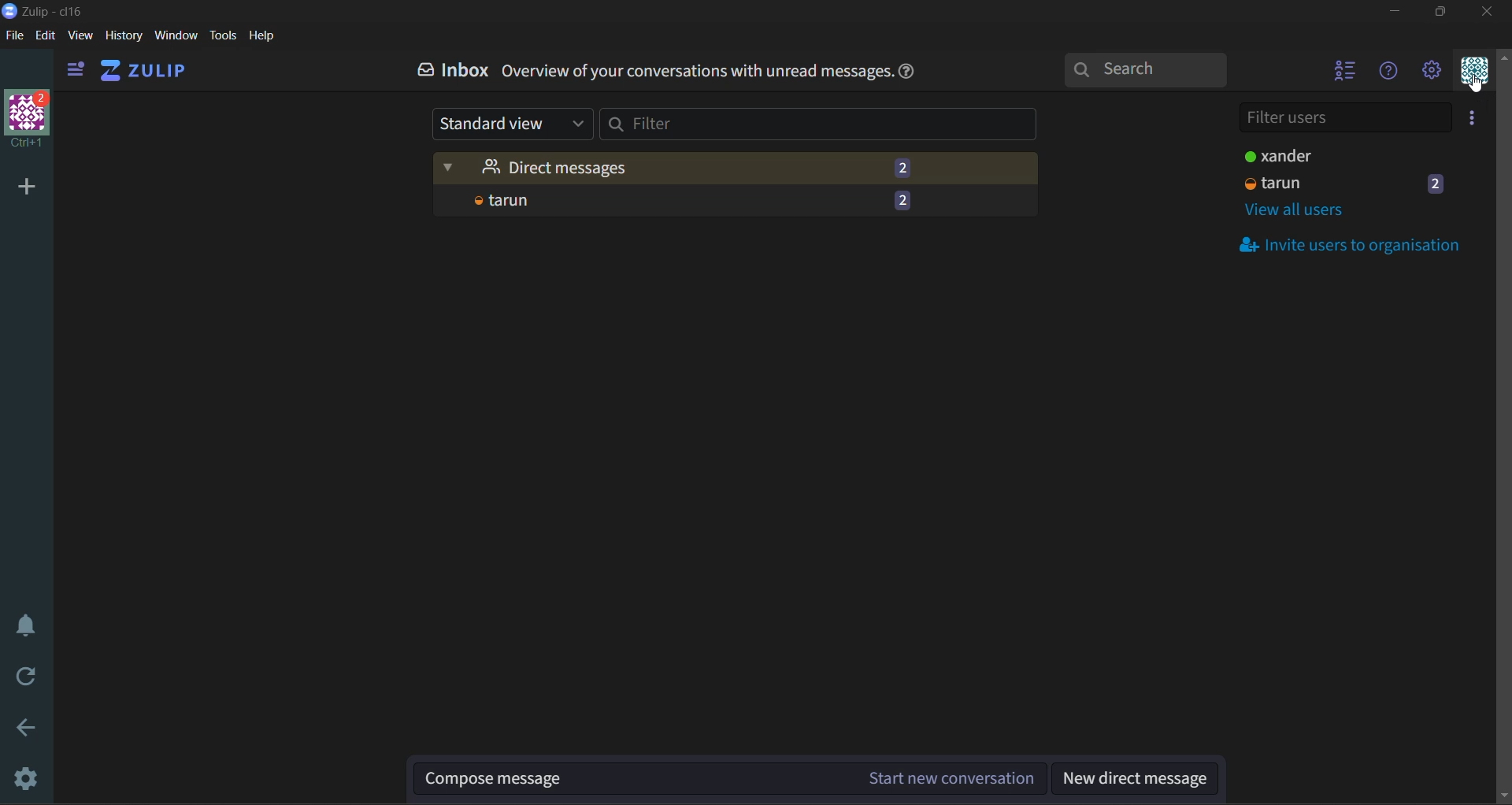 Image resolution: width=1512 pixels, height=805 pixels. What do you see at coordinates (906, 70) in the screenshot?
I see `help` at bounding box center [906, 70].